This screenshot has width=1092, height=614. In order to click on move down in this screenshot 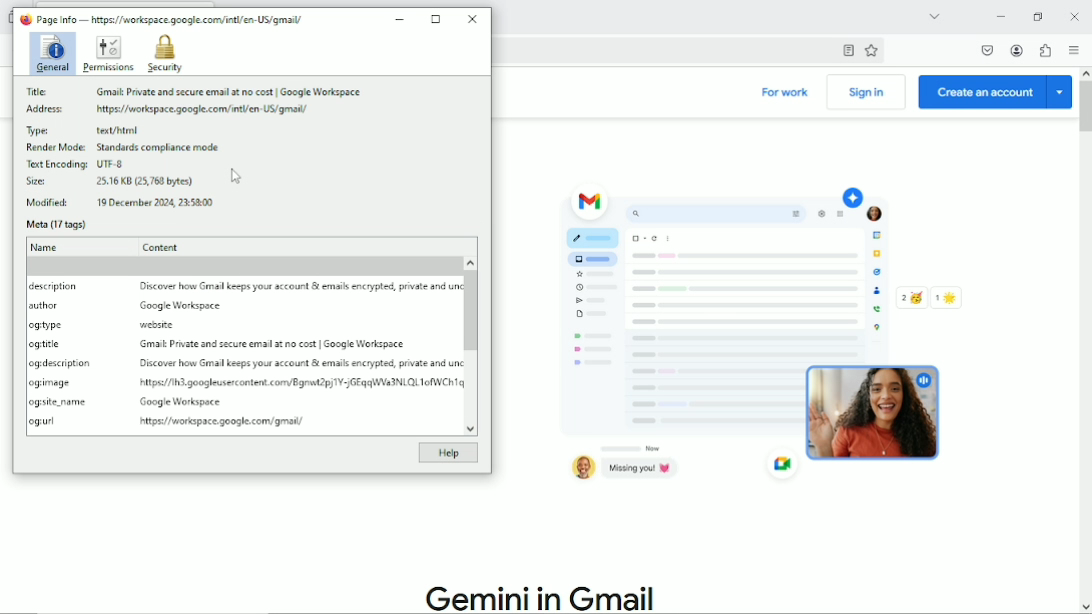, I will do `click(474, 430)`.